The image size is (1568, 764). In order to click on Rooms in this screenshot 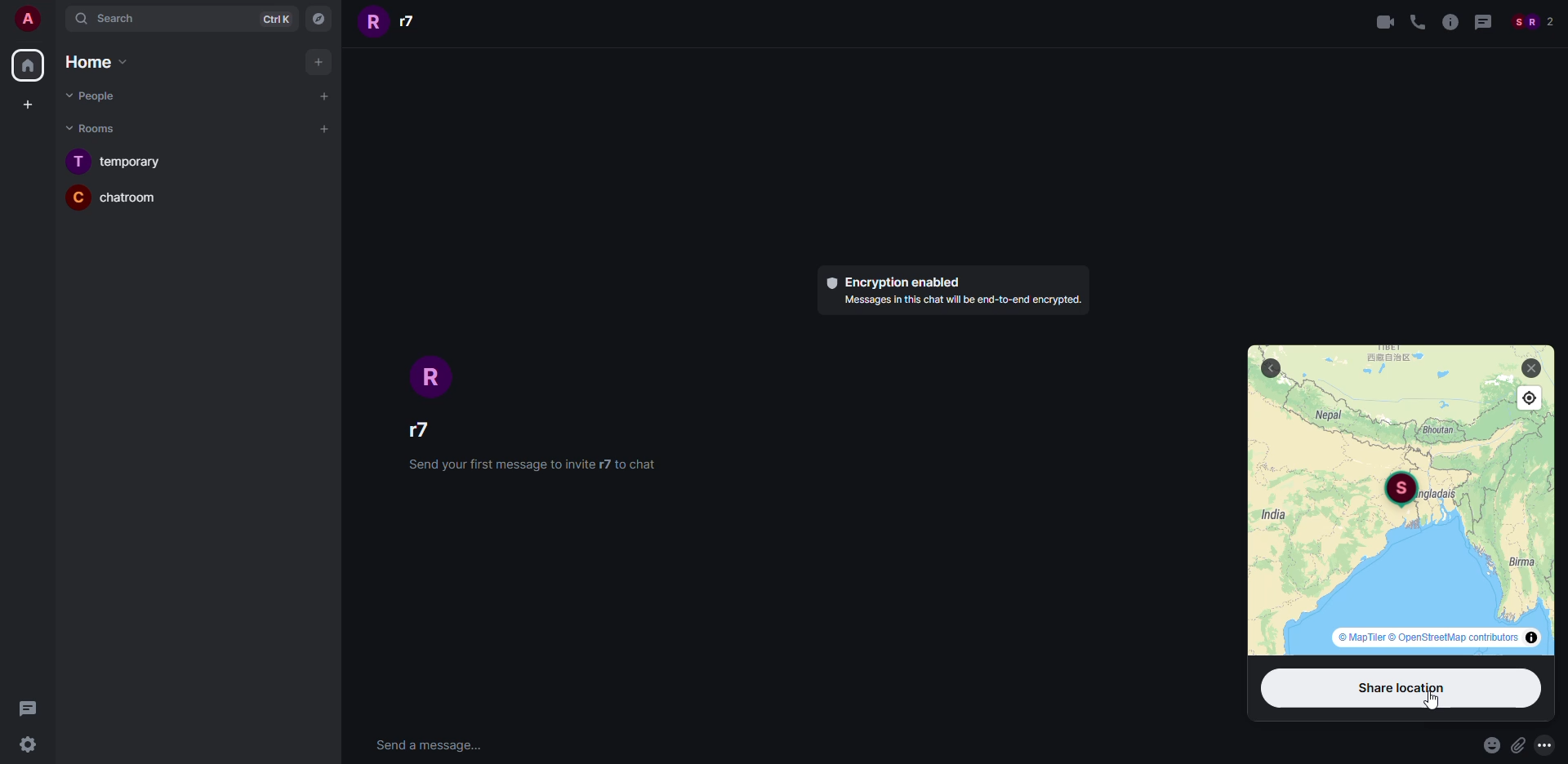, I will do `click(95, 129)`.